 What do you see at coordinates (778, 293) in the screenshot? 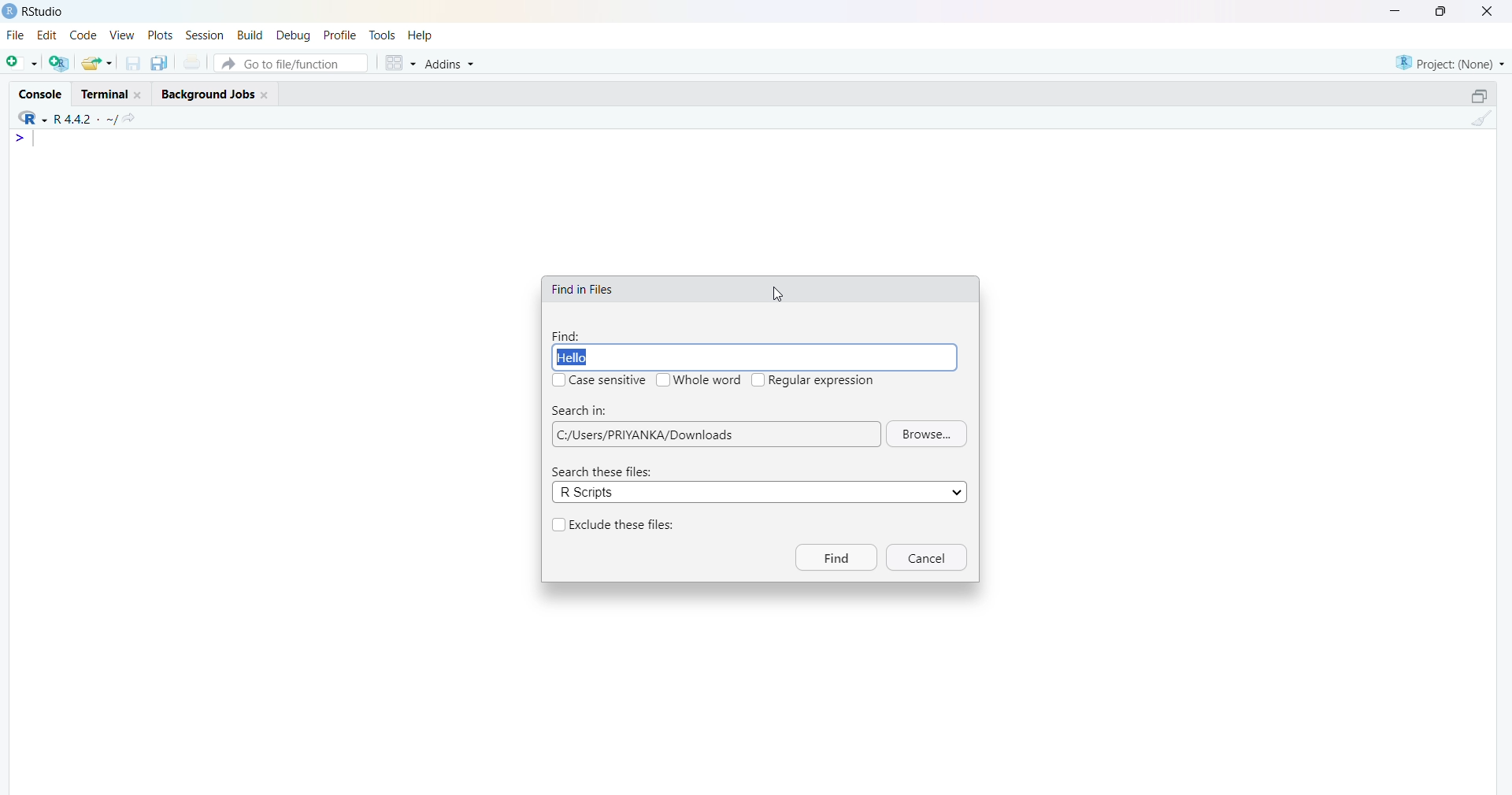
I see `cursor` at bounding box center [778, 293].